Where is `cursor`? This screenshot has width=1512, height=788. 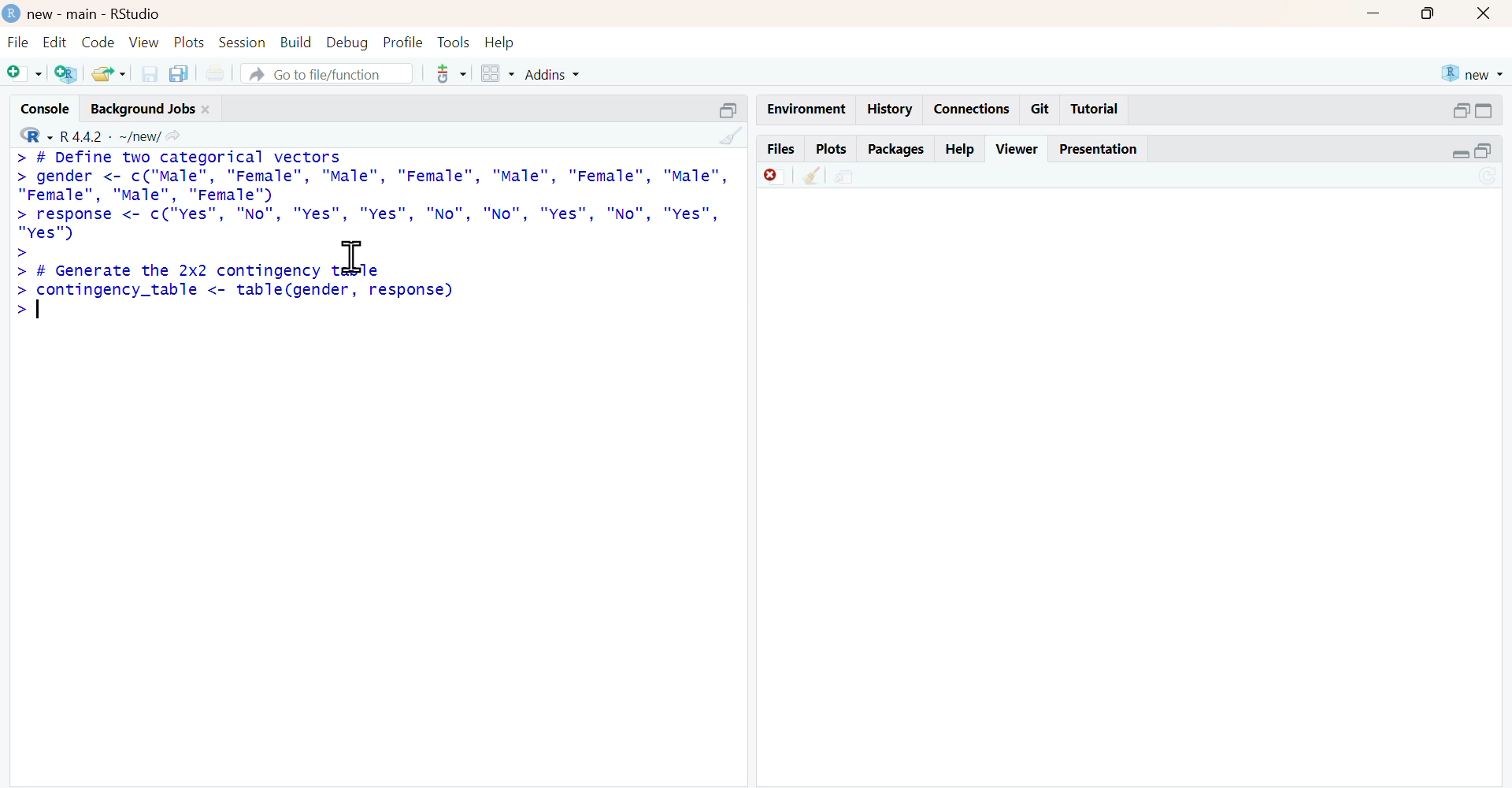 cursor is located at coordinates (354, 258).